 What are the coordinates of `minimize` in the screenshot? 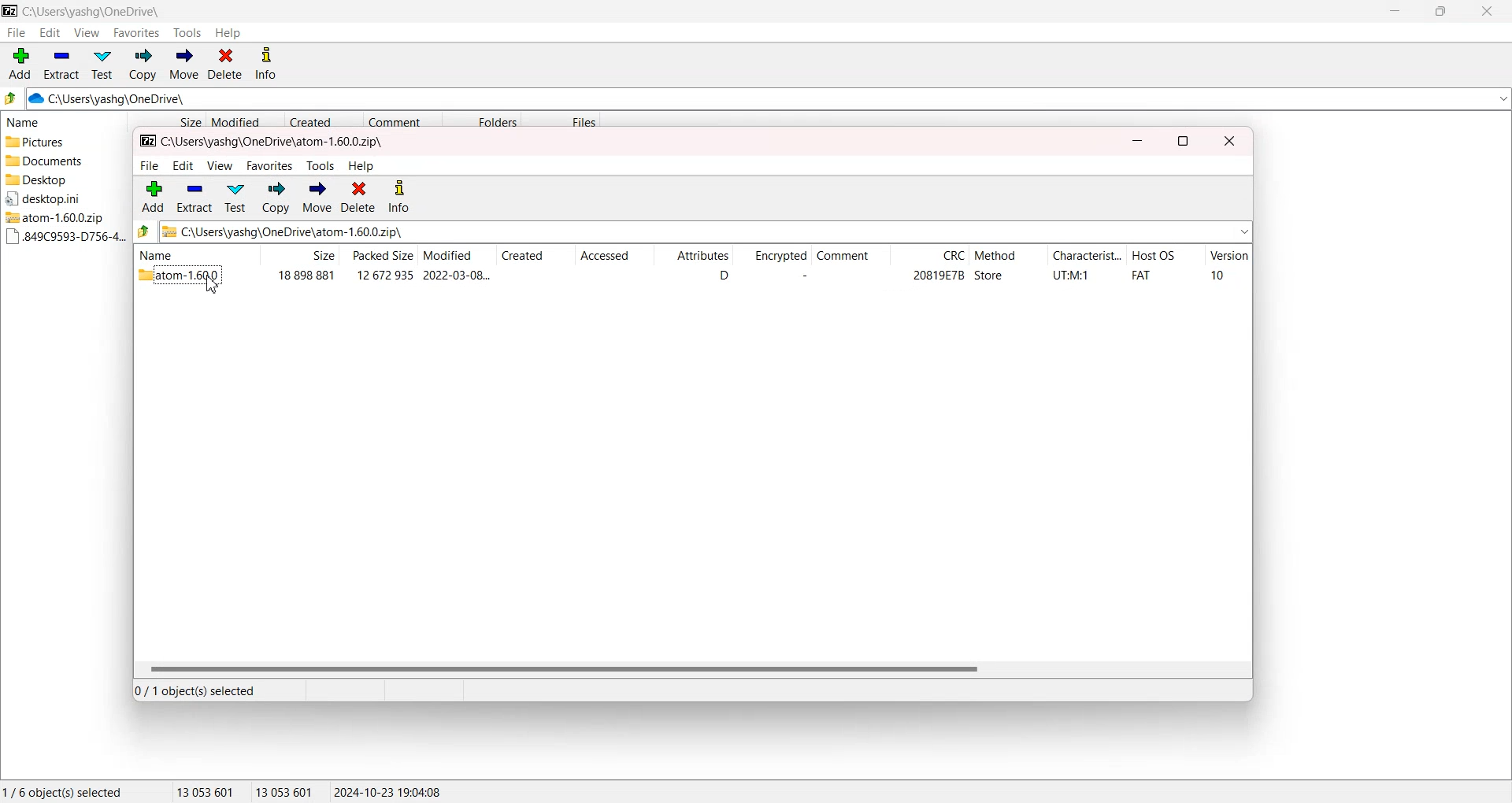 It's located at (1137, 142).